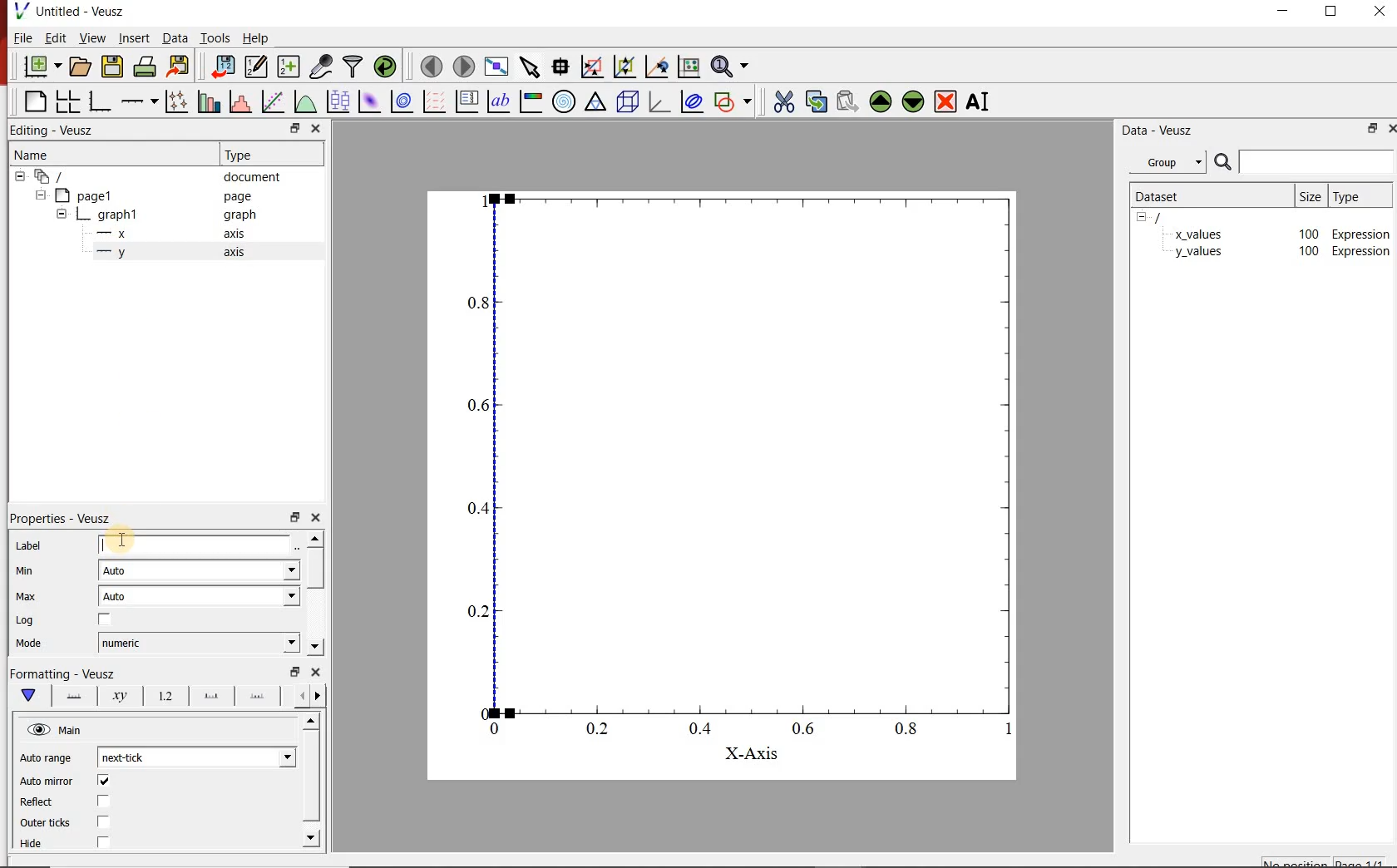 The image size is (1397, 868). Describe the element at coordinates (239, 215) in the screenshot. I see `graph` at that location.